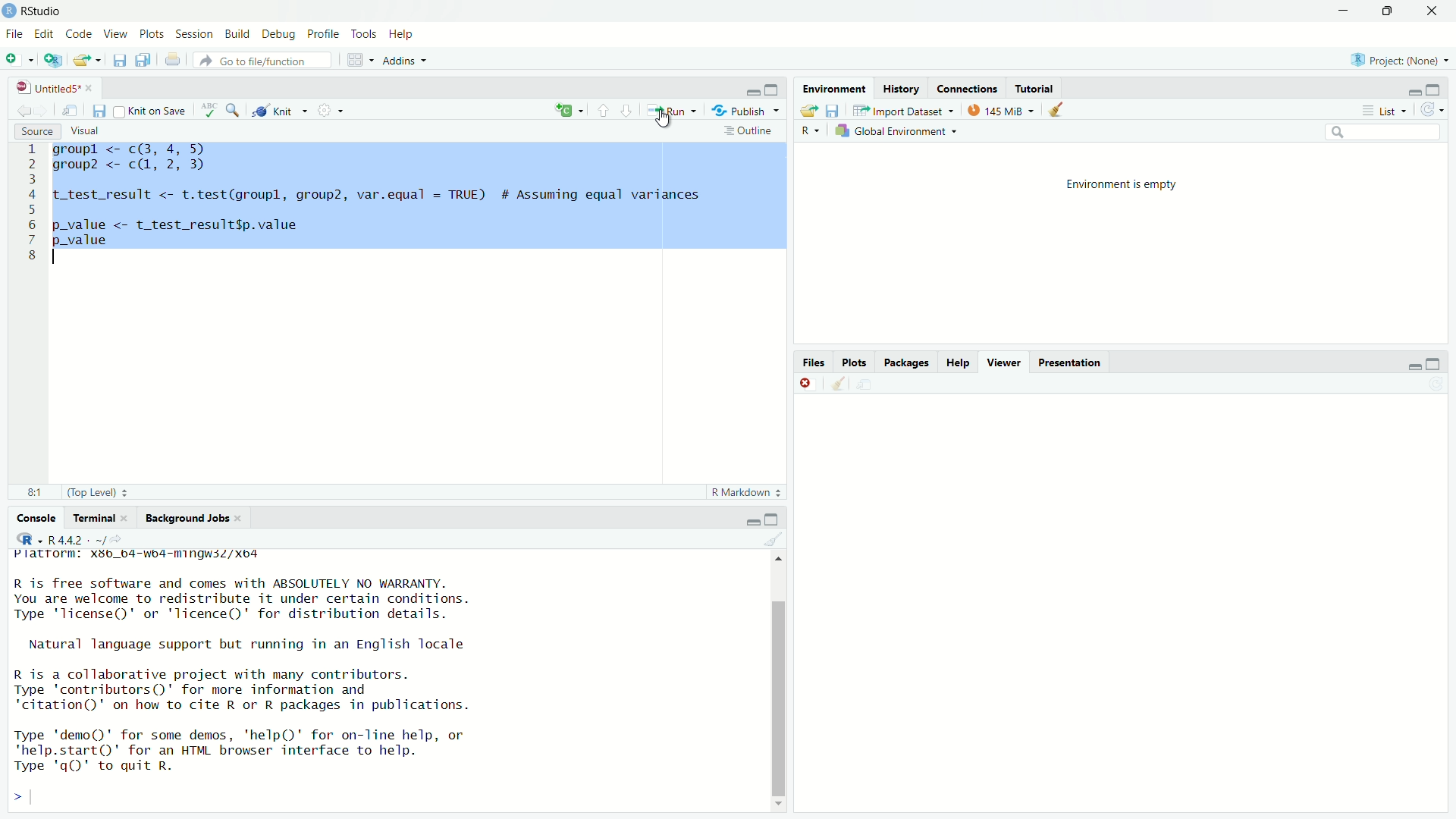 This screenshot has height=819, width=1456. I want to click on minimise, so click(754, 519).